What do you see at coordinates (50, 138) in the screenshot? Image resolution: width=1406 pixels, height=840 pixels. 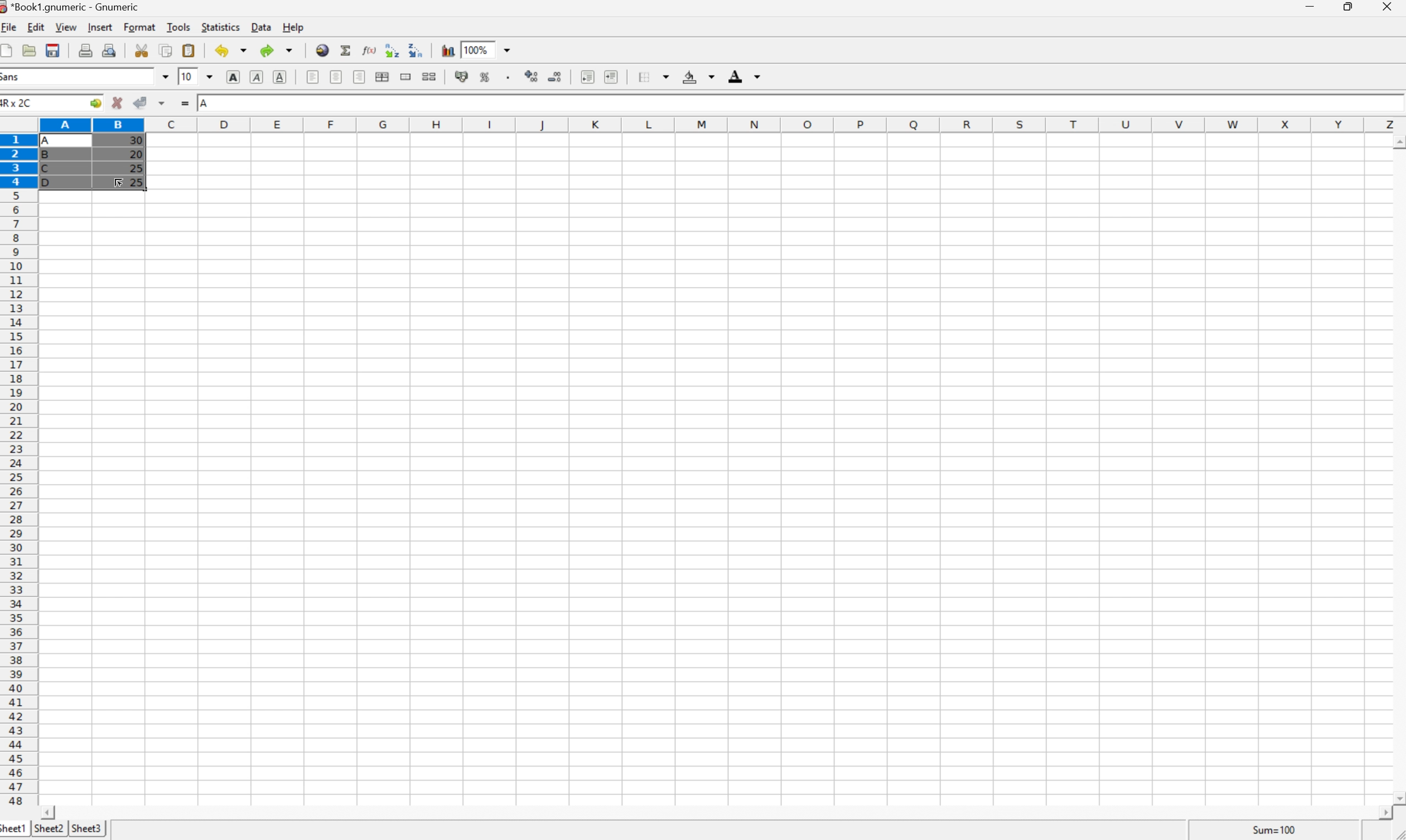 I see `A` at bounding box center [50, 138].